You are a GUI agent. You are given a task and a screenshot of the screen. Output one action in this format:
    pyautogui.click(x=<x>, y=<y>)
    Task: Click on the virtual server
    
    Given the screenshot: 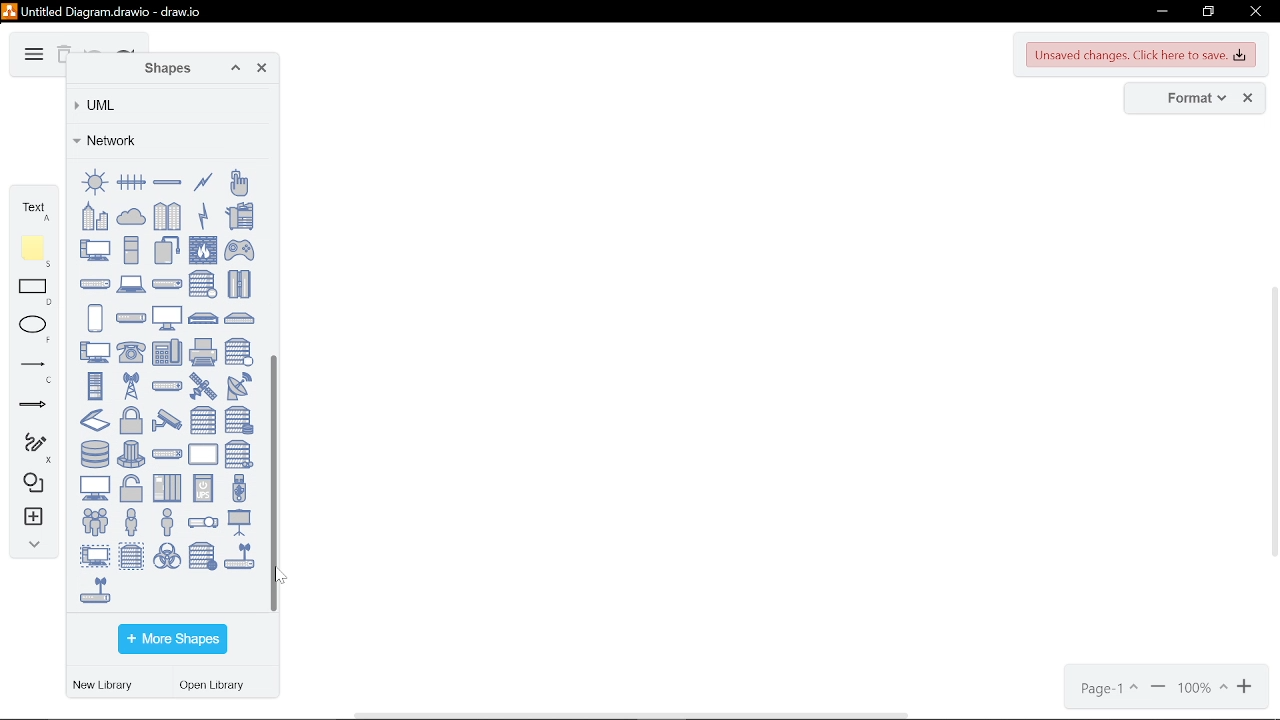 What is the action you would take?
    pyautogui.click(x=131, y=555)
    